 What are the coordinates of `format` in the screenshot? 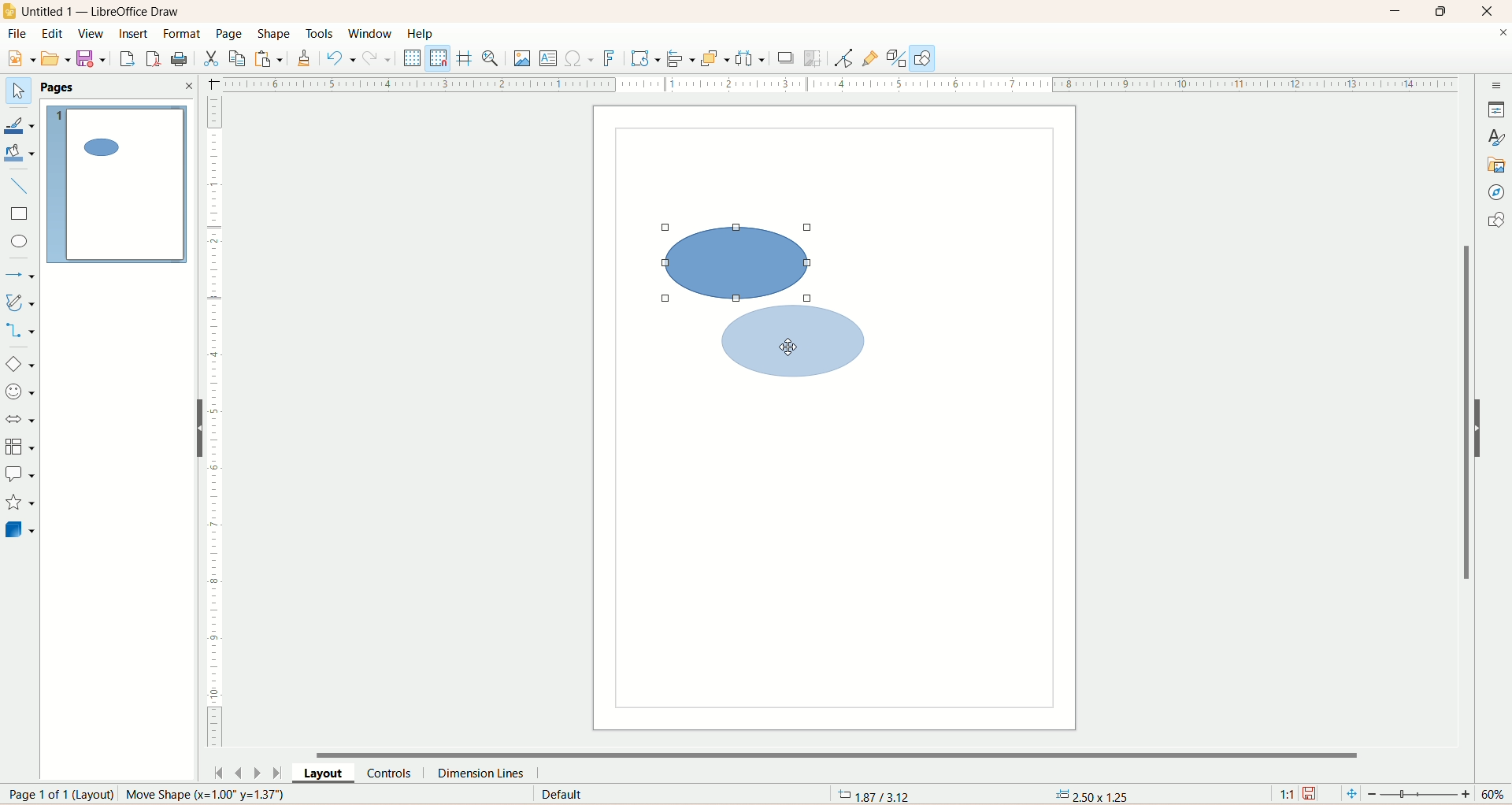 It's located at (186, 35).